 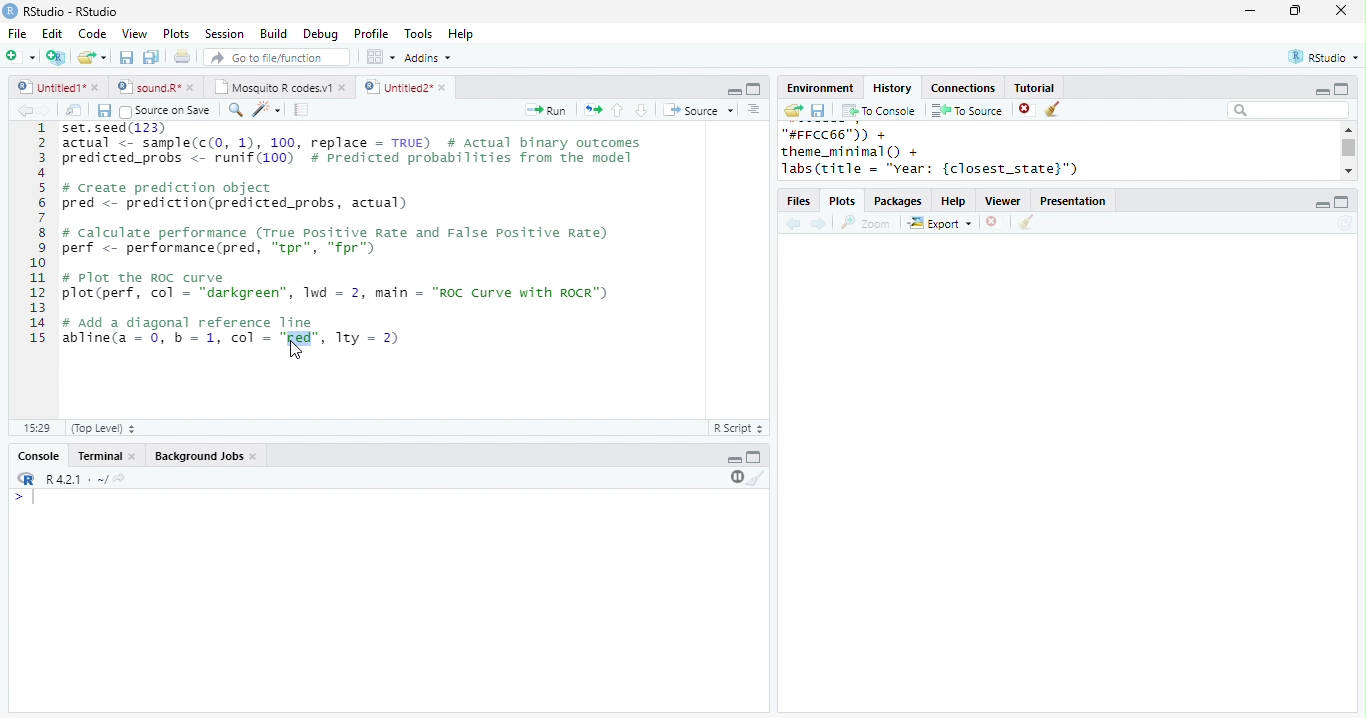 I want to click on scroll bar, so click(x=1350, y=148).